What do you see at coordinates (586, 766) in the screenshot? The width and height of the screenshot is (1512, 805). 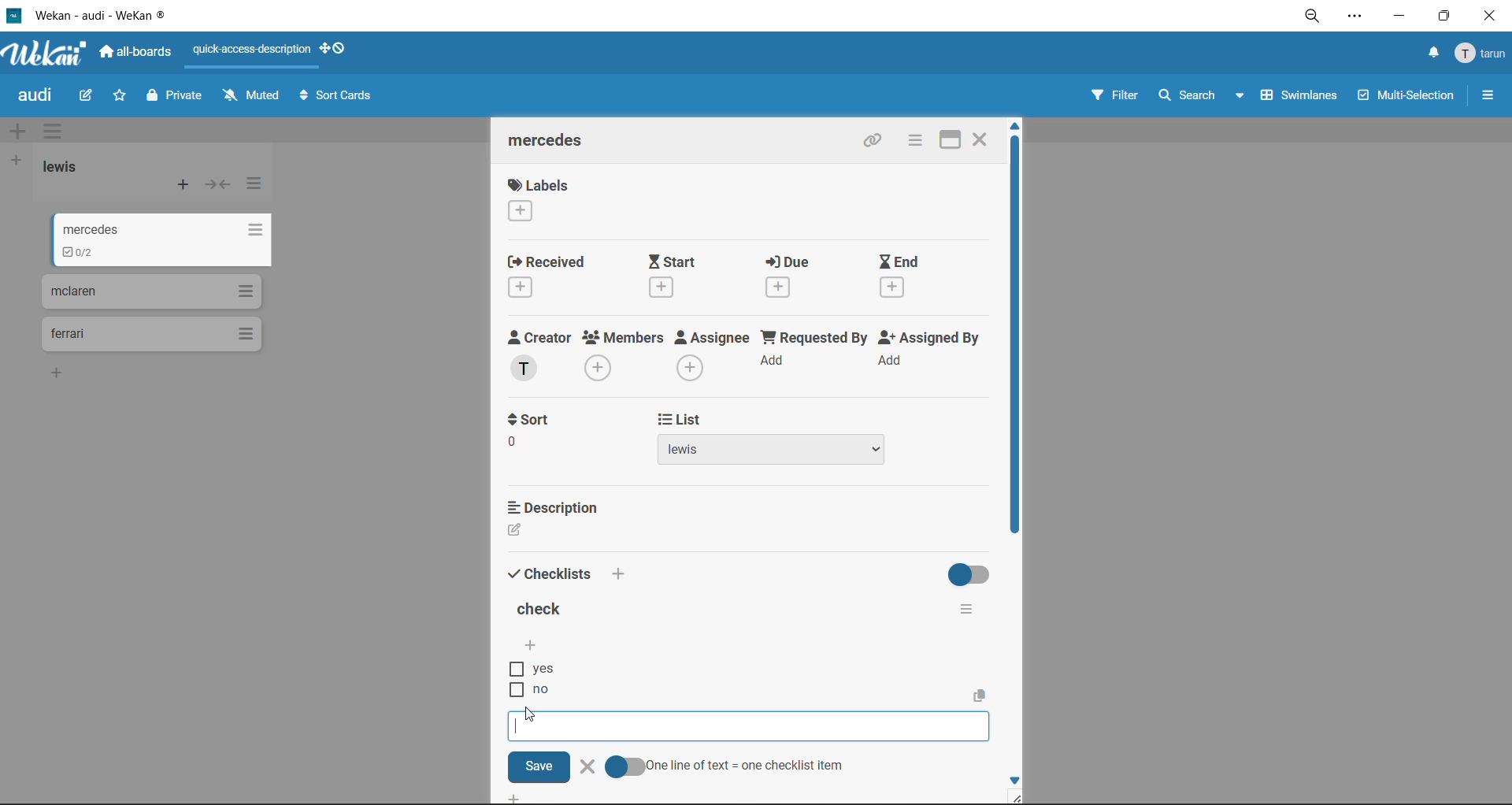 I see `delete` at bounding box center [586, 766].